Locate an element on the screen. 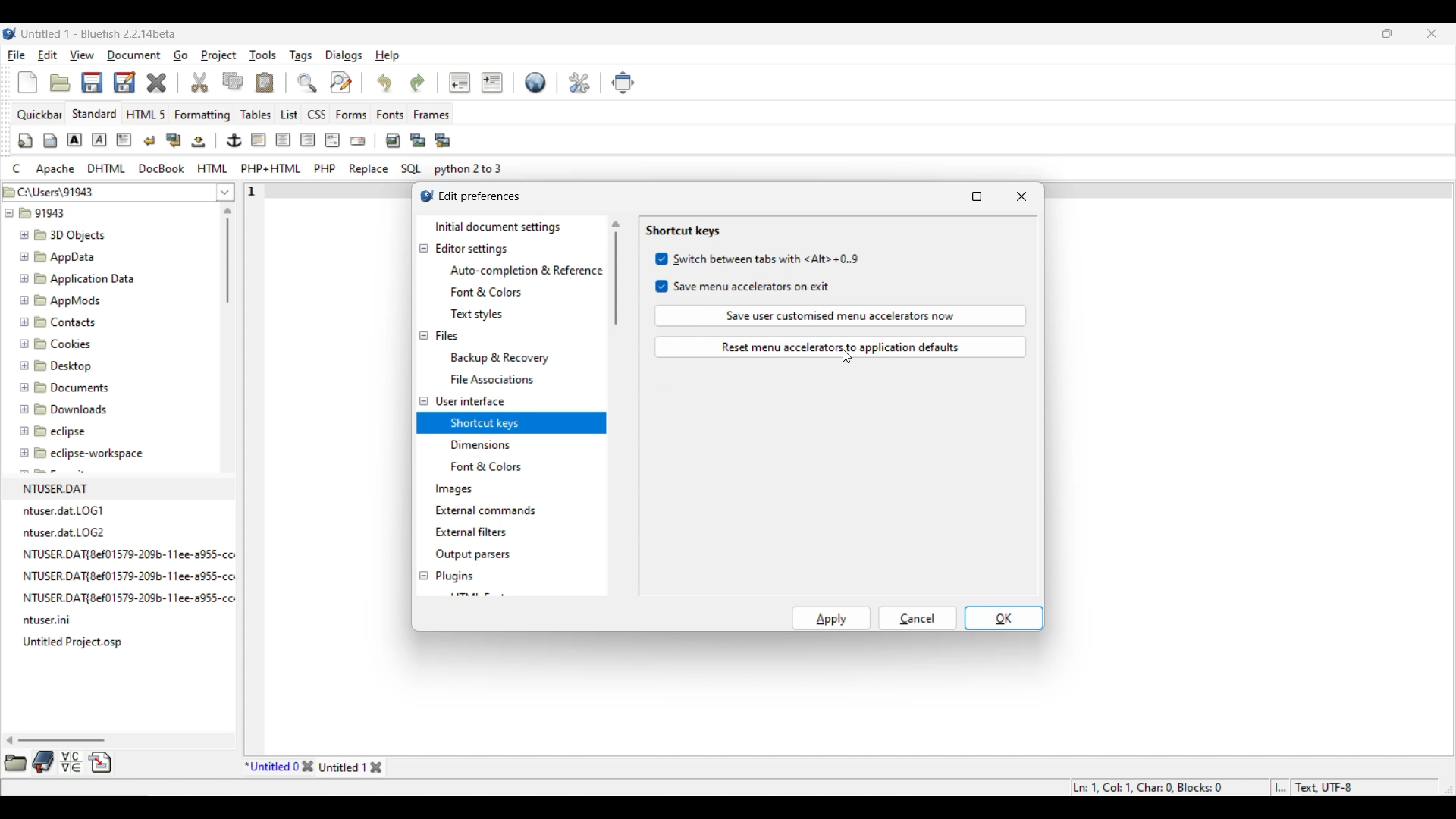 The image size is (1456, 819). HTML 5 is located at coordinates (146, 114).